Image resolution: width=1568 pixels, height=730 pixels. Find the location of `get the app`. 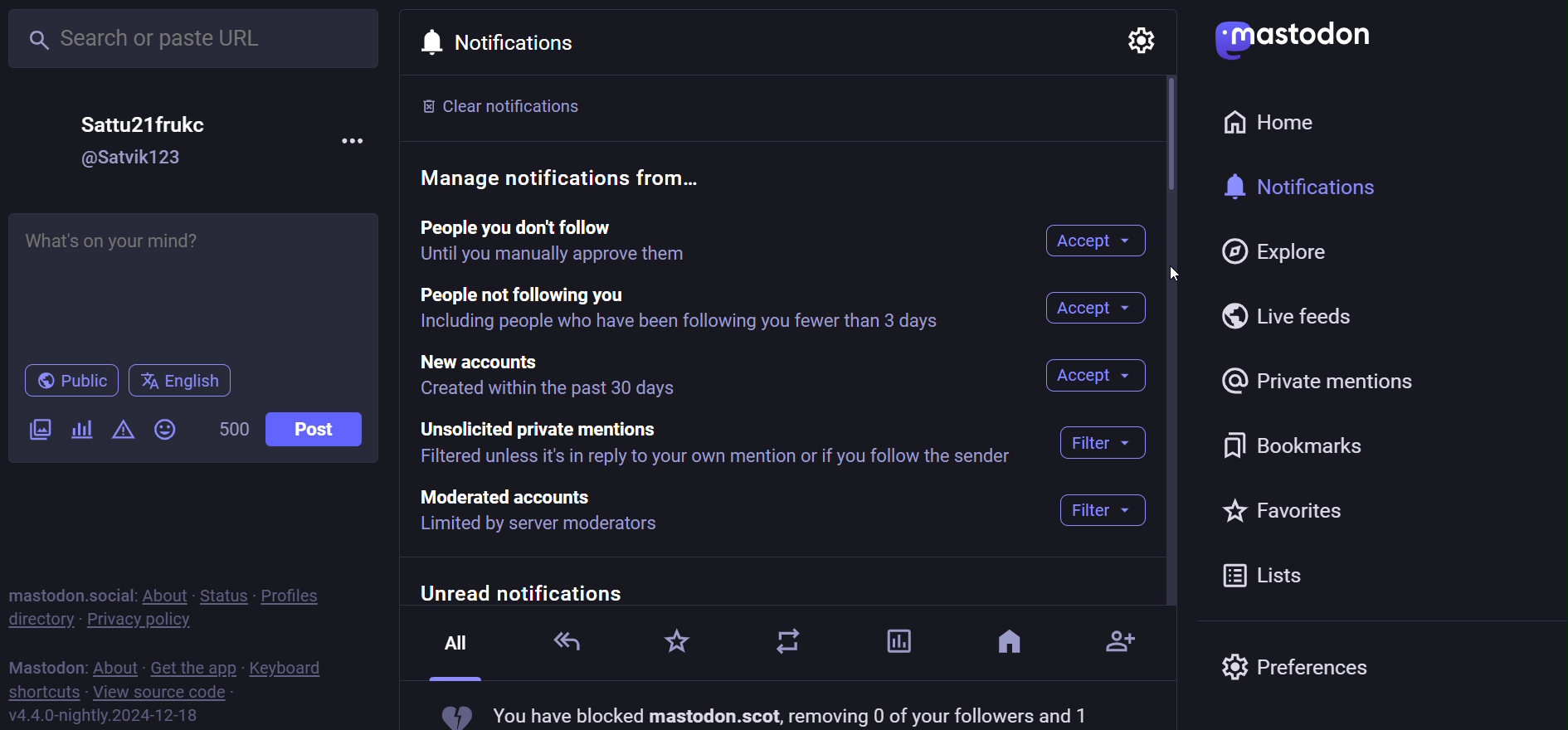

get the app is located at coordinates (192, 666).